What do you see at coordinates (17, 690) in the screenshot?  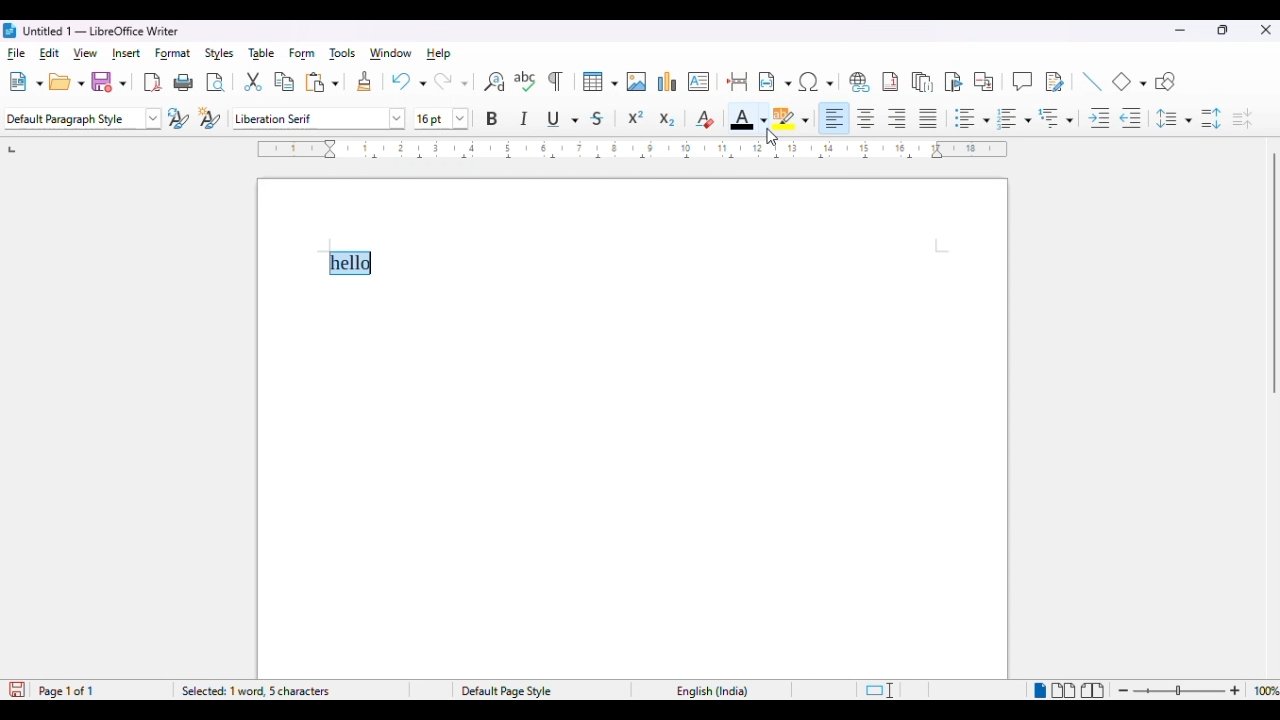 I see `the document has been modified` at bounding box center [17, 690].